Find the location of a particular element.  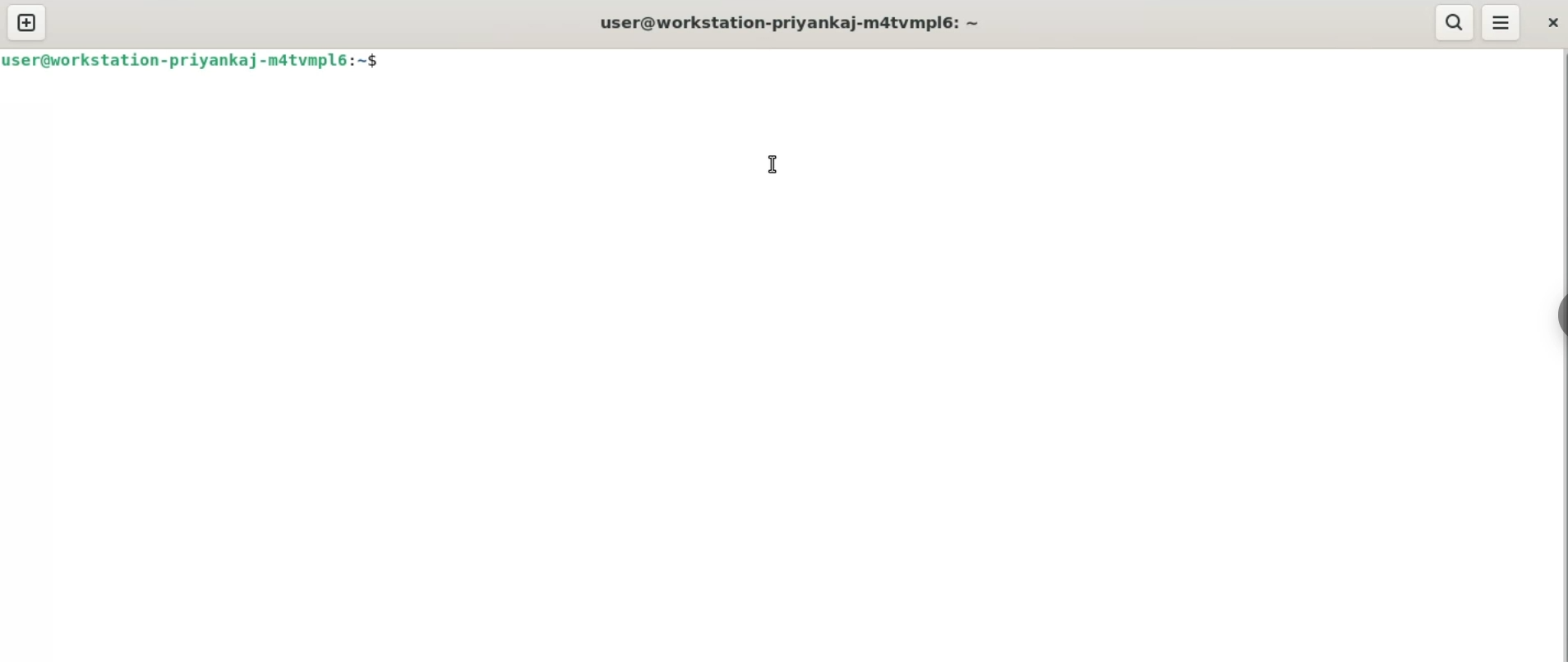

cursor is located at coordinates (772, 166).